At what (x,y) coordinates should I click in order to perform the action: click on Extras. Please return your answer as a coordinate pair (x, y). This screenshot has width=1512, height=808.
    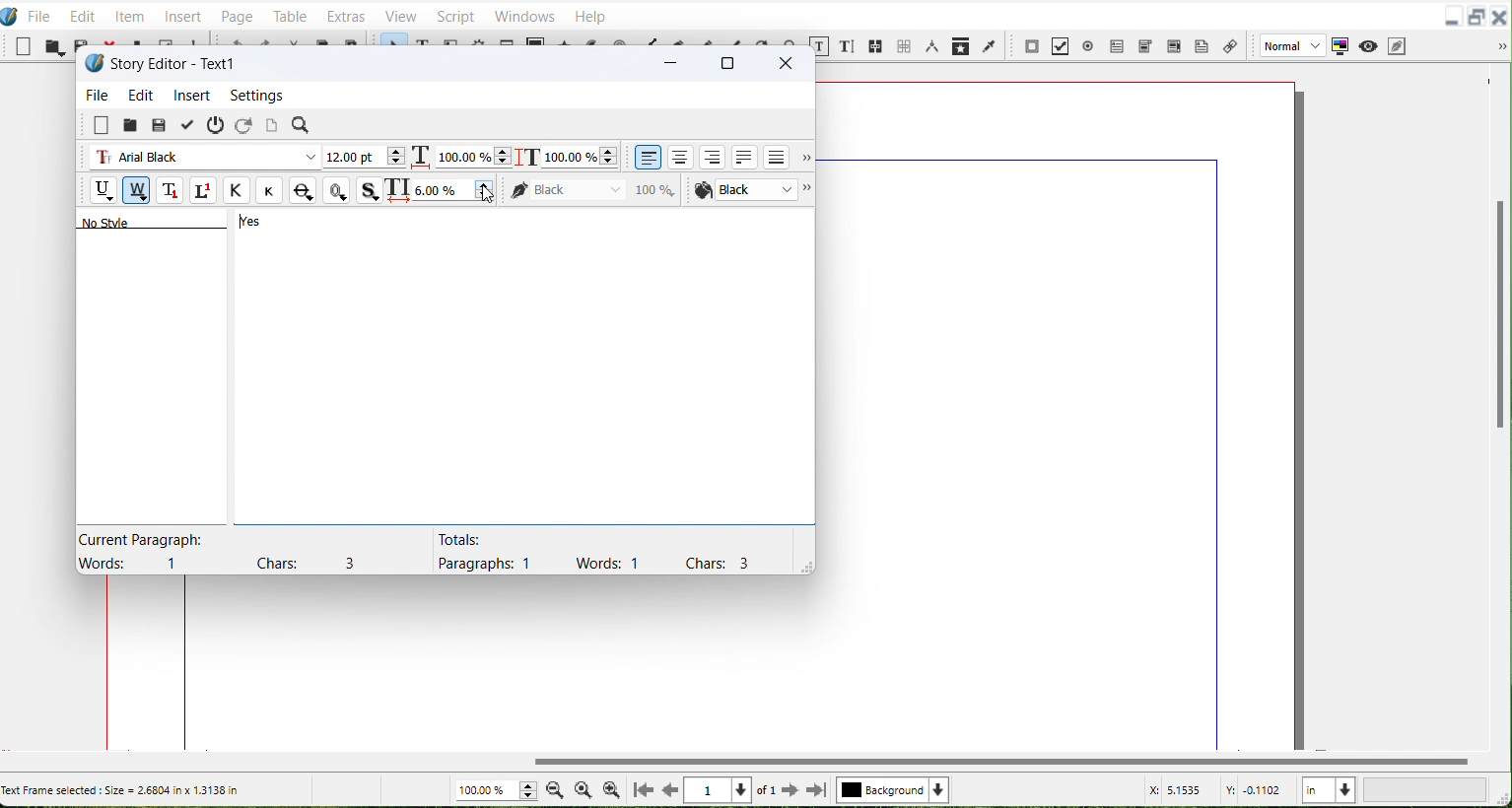
    Looking at the image, I should click on (346, 15).